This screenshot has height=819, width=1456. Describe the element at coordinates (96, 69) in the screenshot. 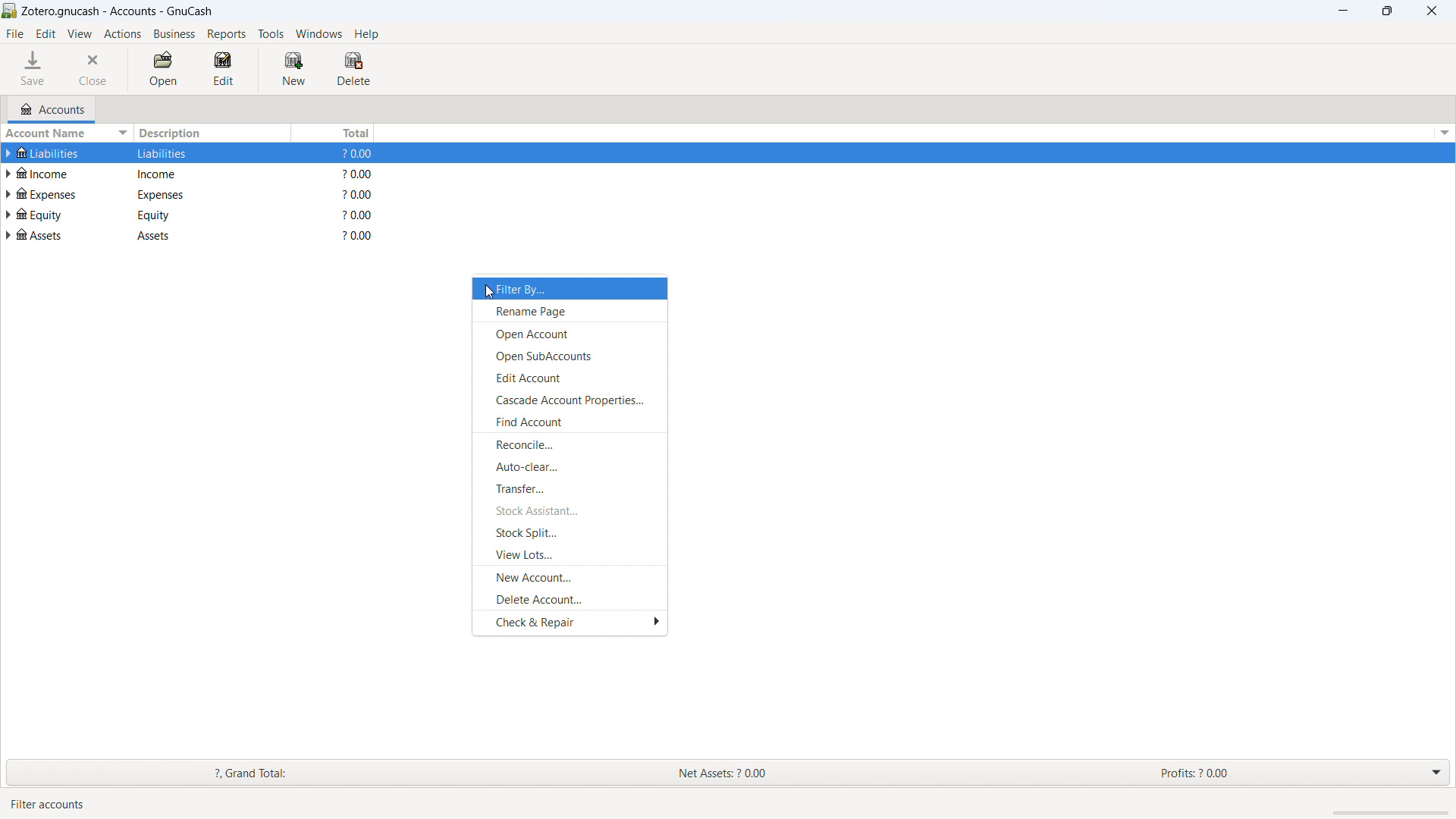

I see `close` at that location.